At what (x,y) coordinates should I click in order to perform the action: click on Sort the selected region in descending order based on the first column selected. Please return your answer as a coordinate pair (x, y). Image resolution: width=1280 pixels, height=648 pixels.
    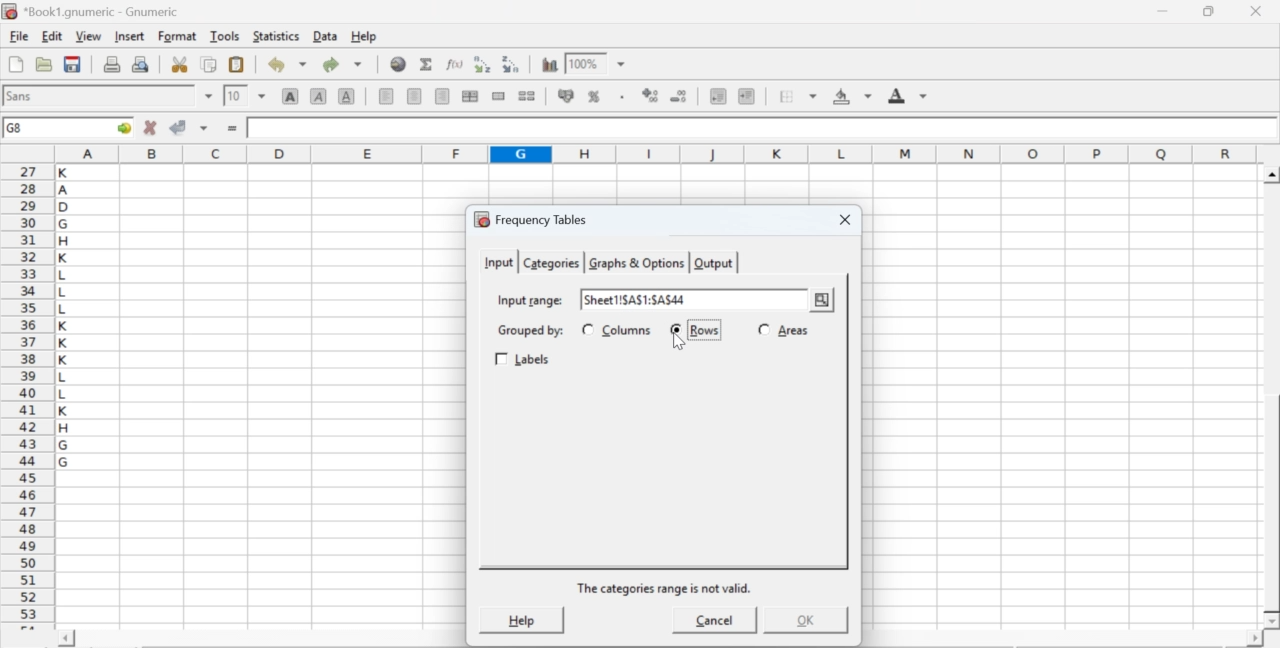
    Looking at the image, I should click on (512, 62).